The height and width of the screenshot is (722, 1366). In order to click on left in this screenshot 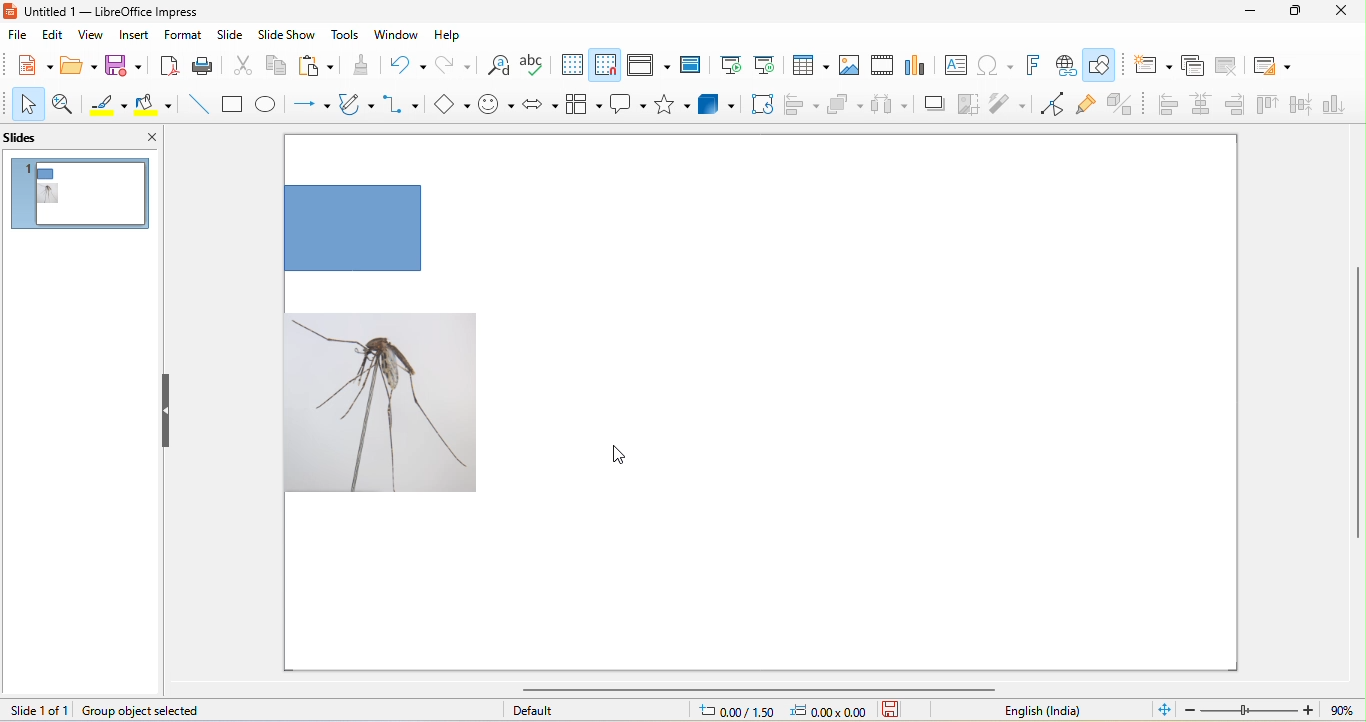, I will do `click(1167, 106)`.